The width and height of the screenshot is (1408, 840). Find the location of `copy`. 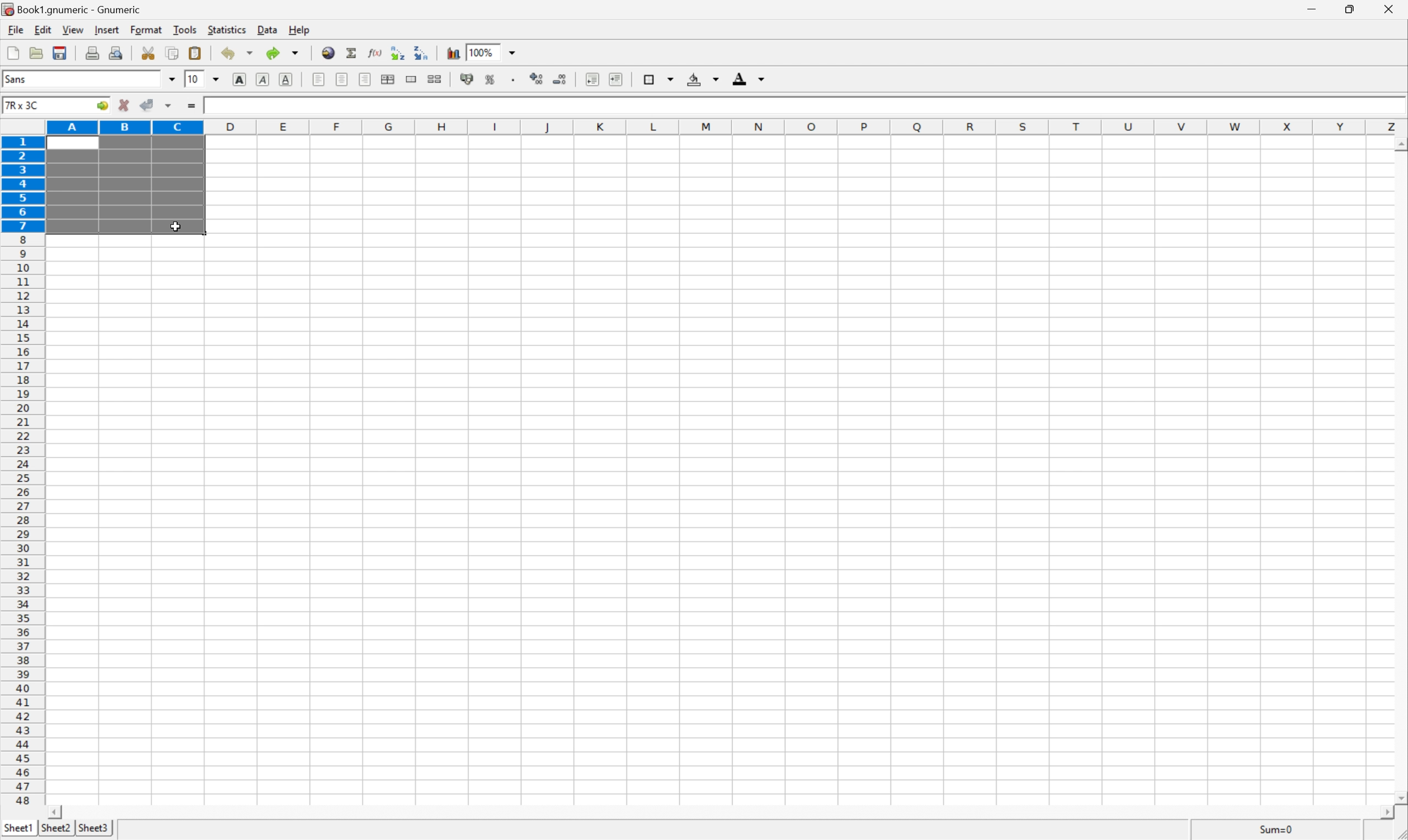

copy is located at coordinates (173, 52).